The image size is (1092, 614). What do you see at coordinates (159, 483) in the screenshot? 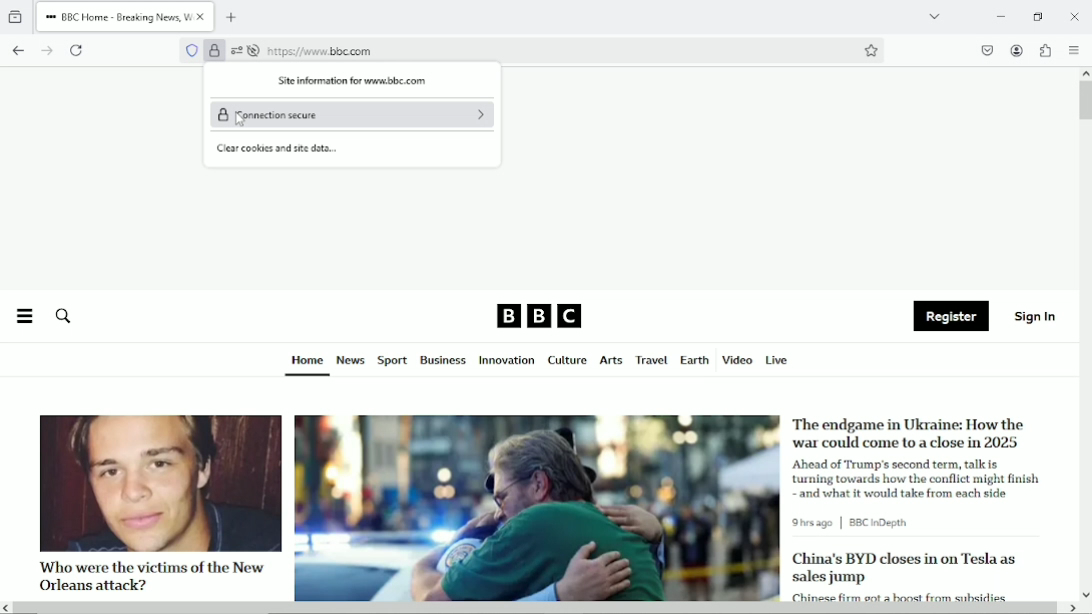
I see `image` at bounding box center [159, 483].